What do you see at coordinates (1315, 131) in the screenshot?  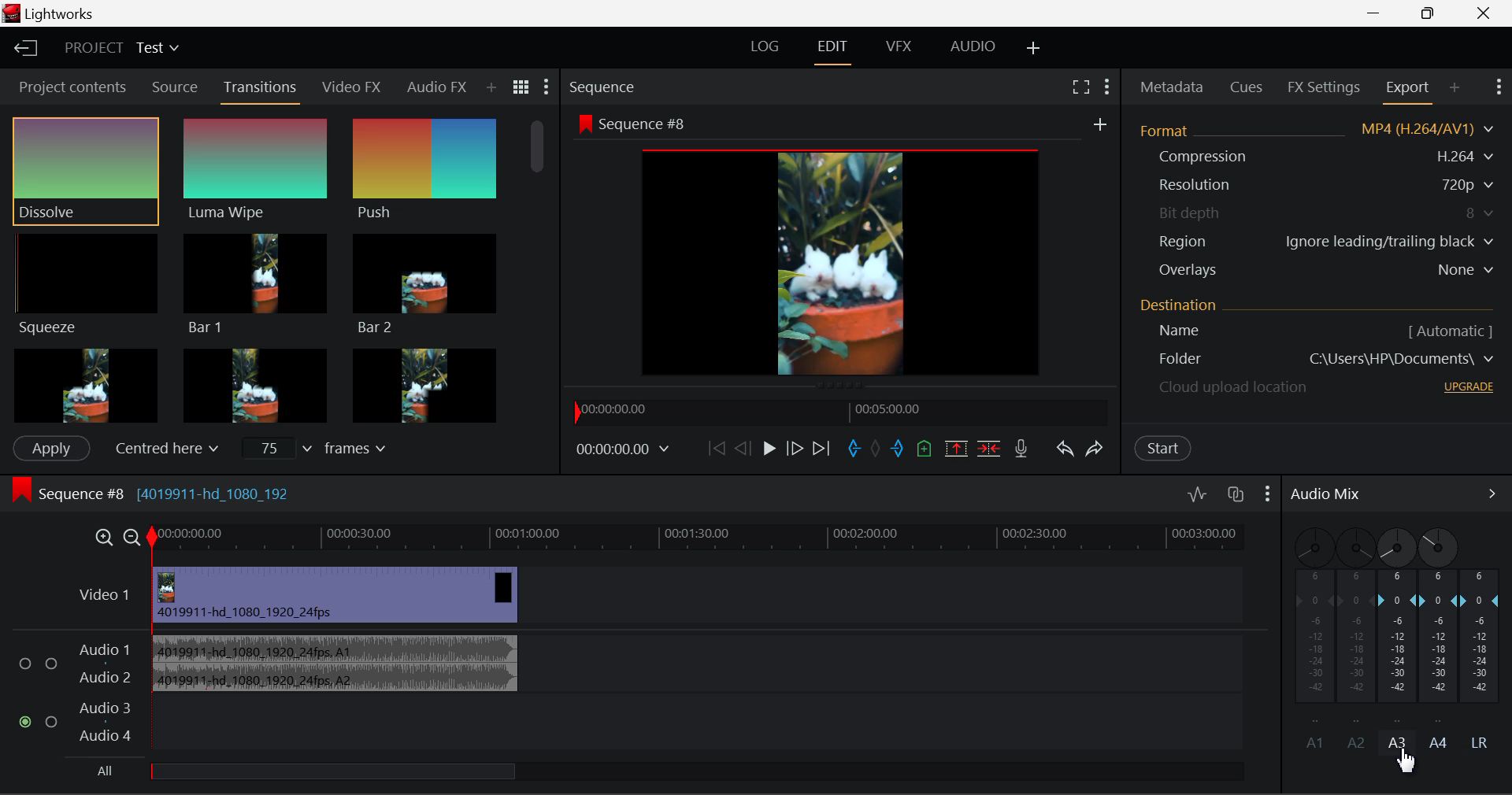 I see `Format` at bounding box center [1315, 131].